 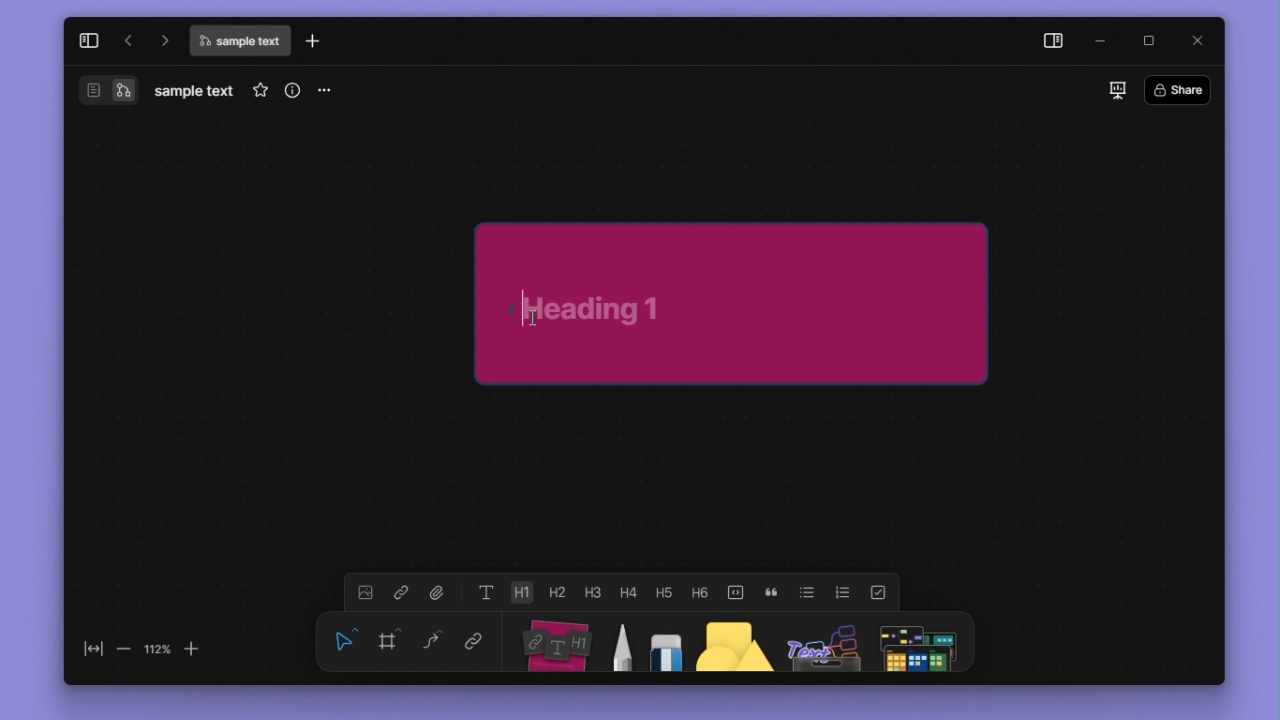 What do you see at coordinates (1178, 89) in the screenshot?
I see `share` at bounding box center [1178, 89].